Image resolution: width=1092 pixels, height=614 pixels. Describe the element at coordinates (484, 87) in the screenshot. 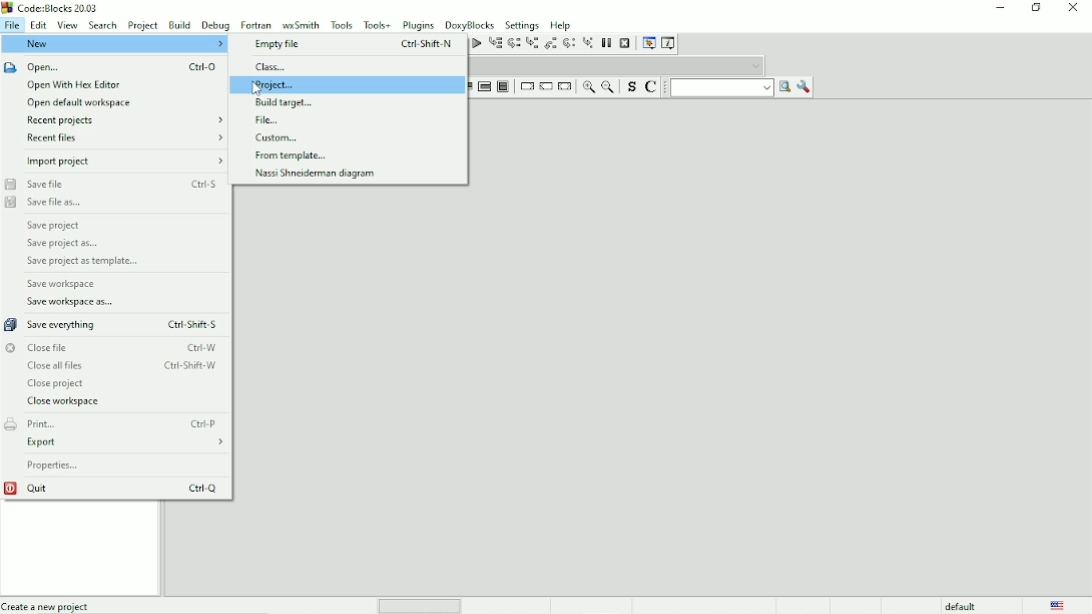

I see `Counting loop` at that location.